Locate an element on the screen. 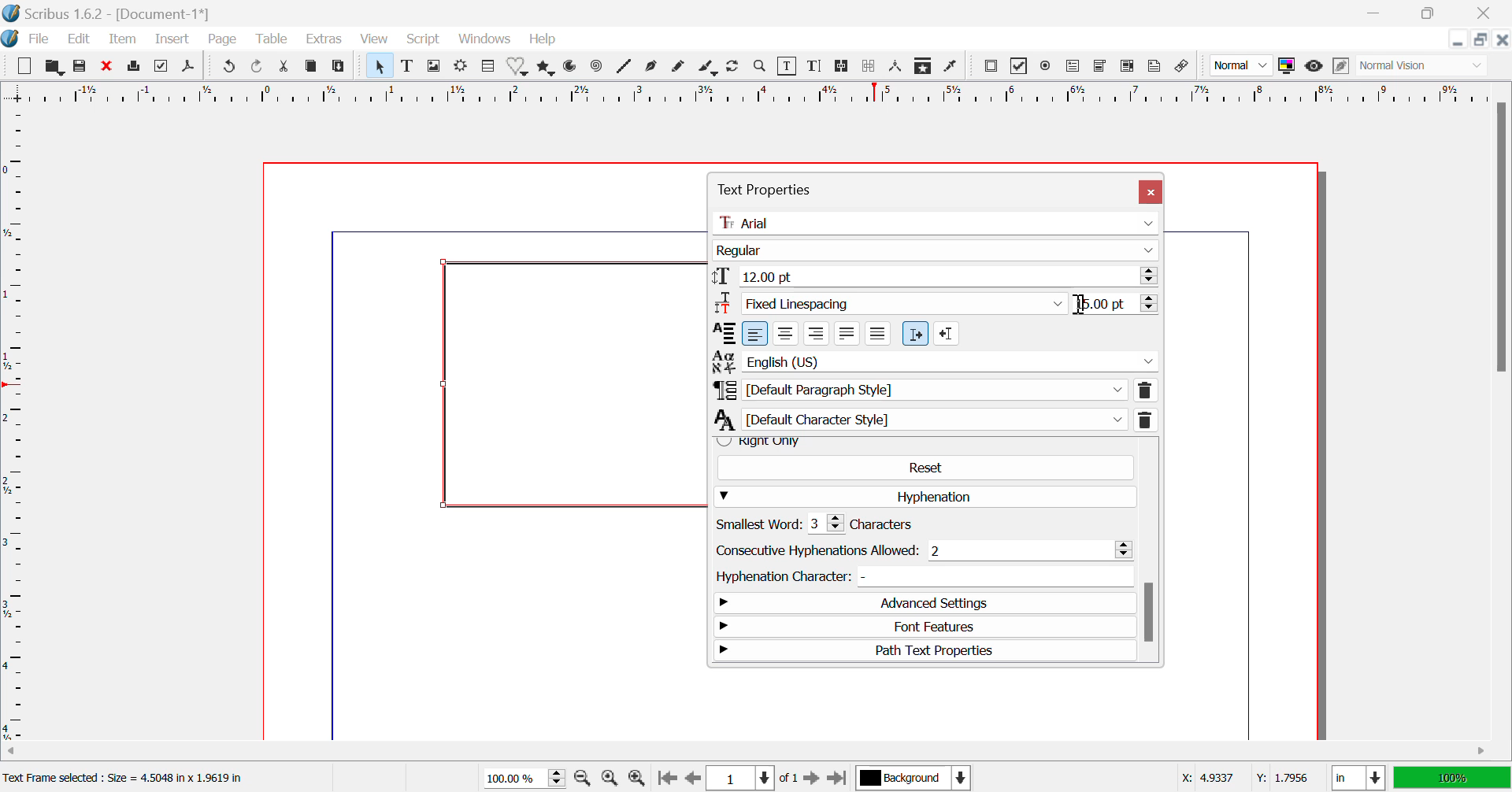 This screenshot has height=792, width=1512. Close is located at coordinates (1503, 40).